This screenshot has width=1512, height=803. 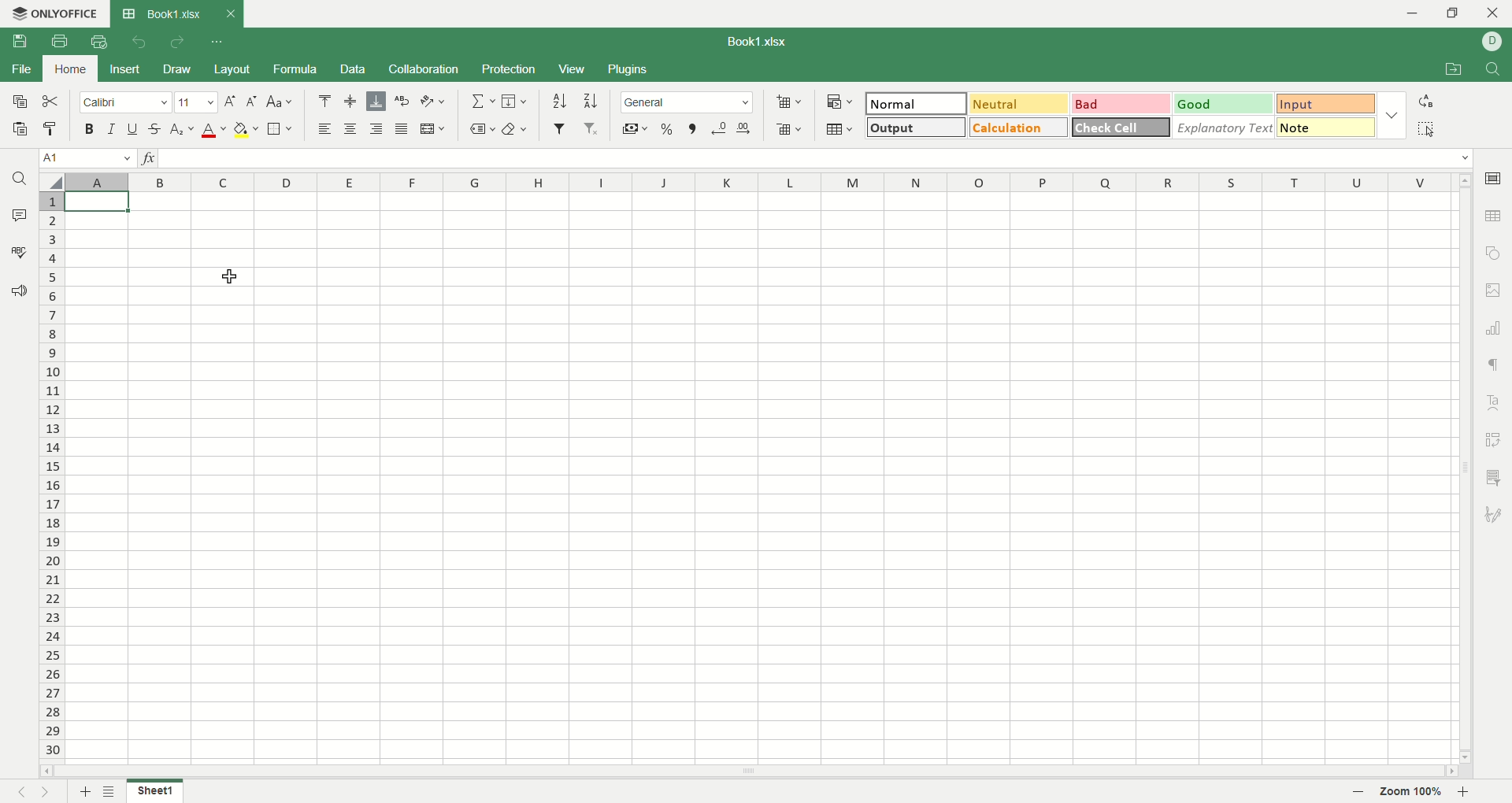 What do you see at coordinates (1225, 127) in the screenshot?
I see `explanatory text` at bounding box center [1225, 127].